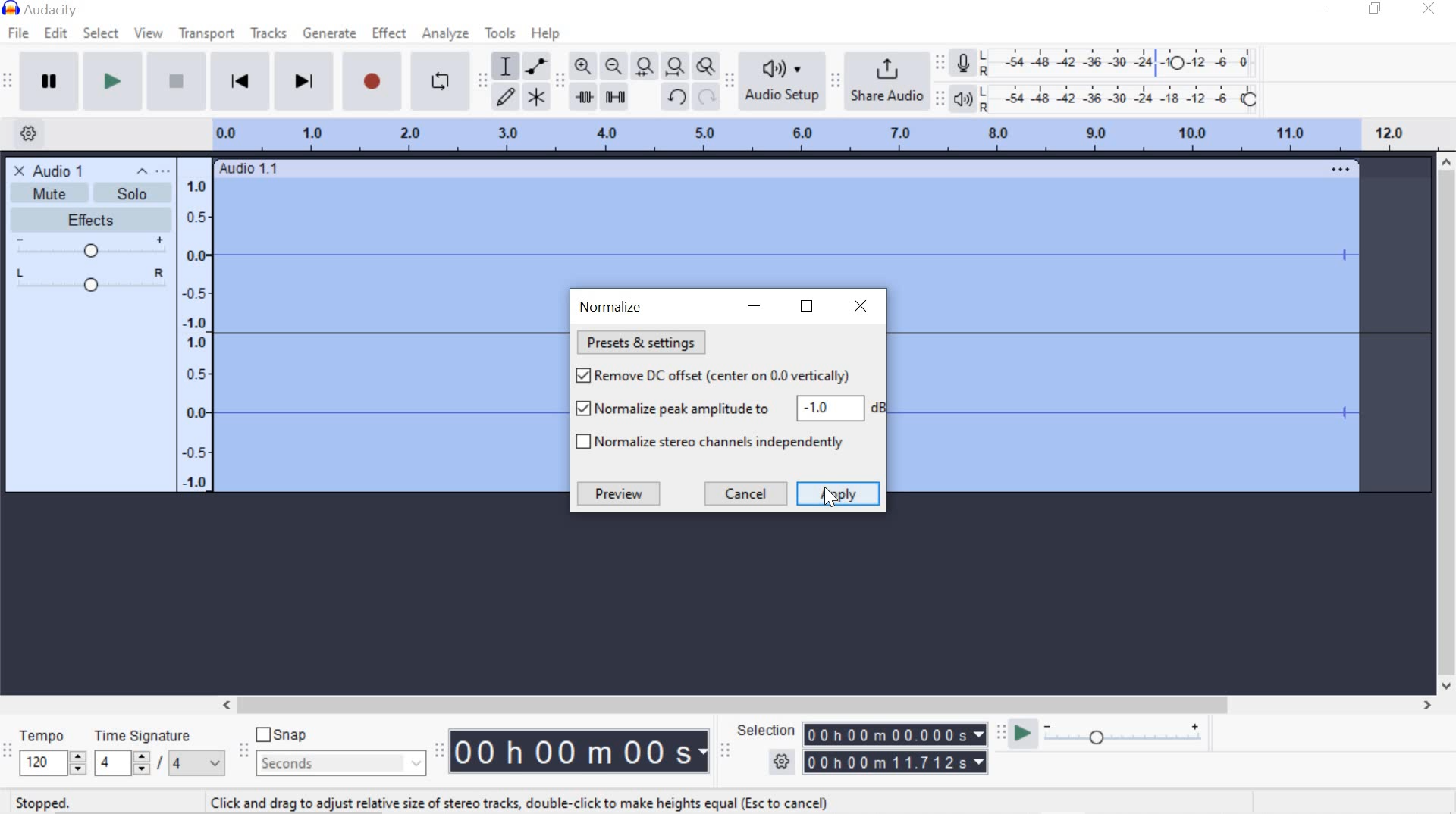 This screenshot has width=1456, height=814. I want to click on Edit Toolbar, so click(560, 80).